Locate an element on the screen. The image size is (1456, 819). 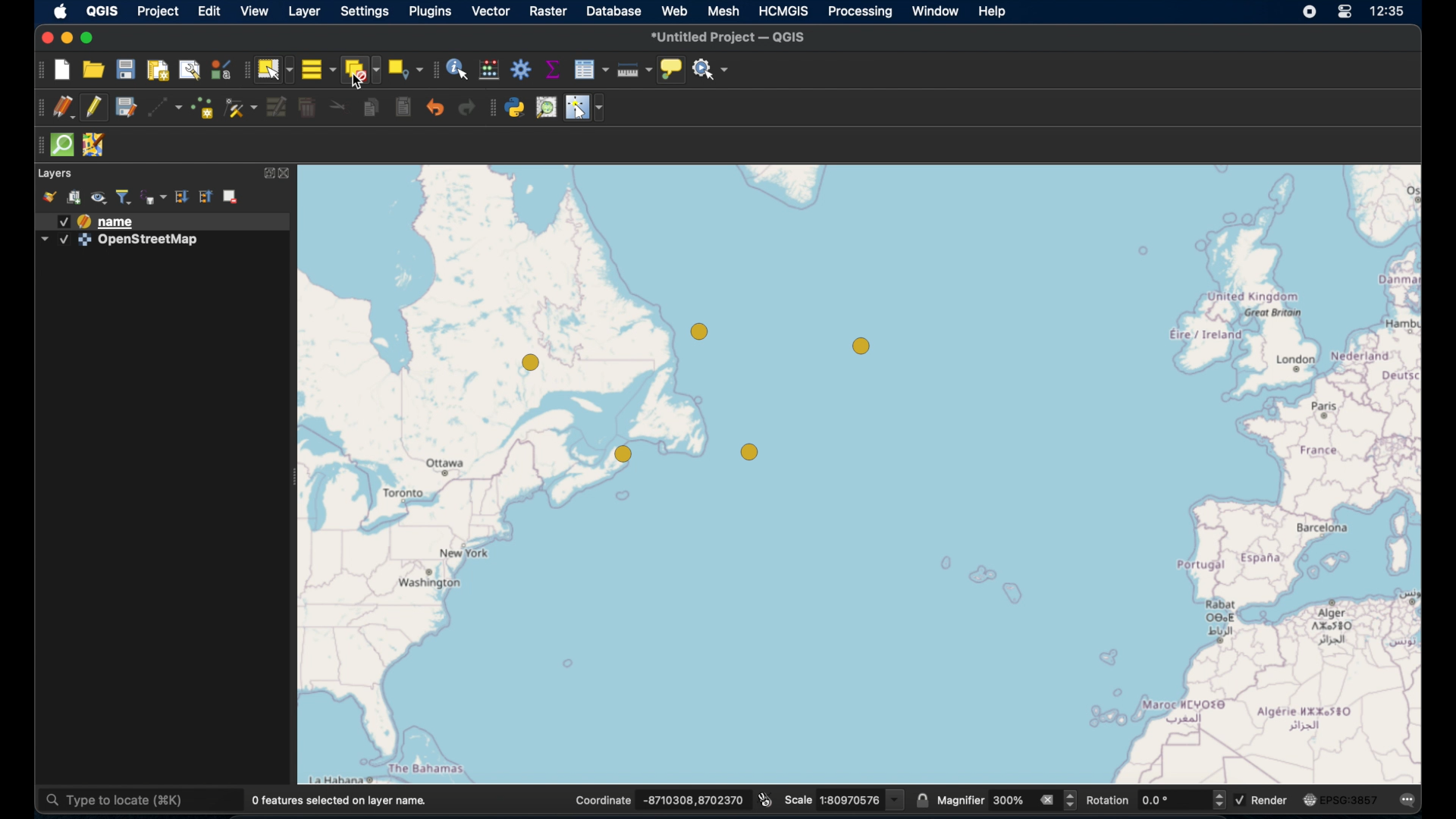
vector is located at coordinates (491, 13).